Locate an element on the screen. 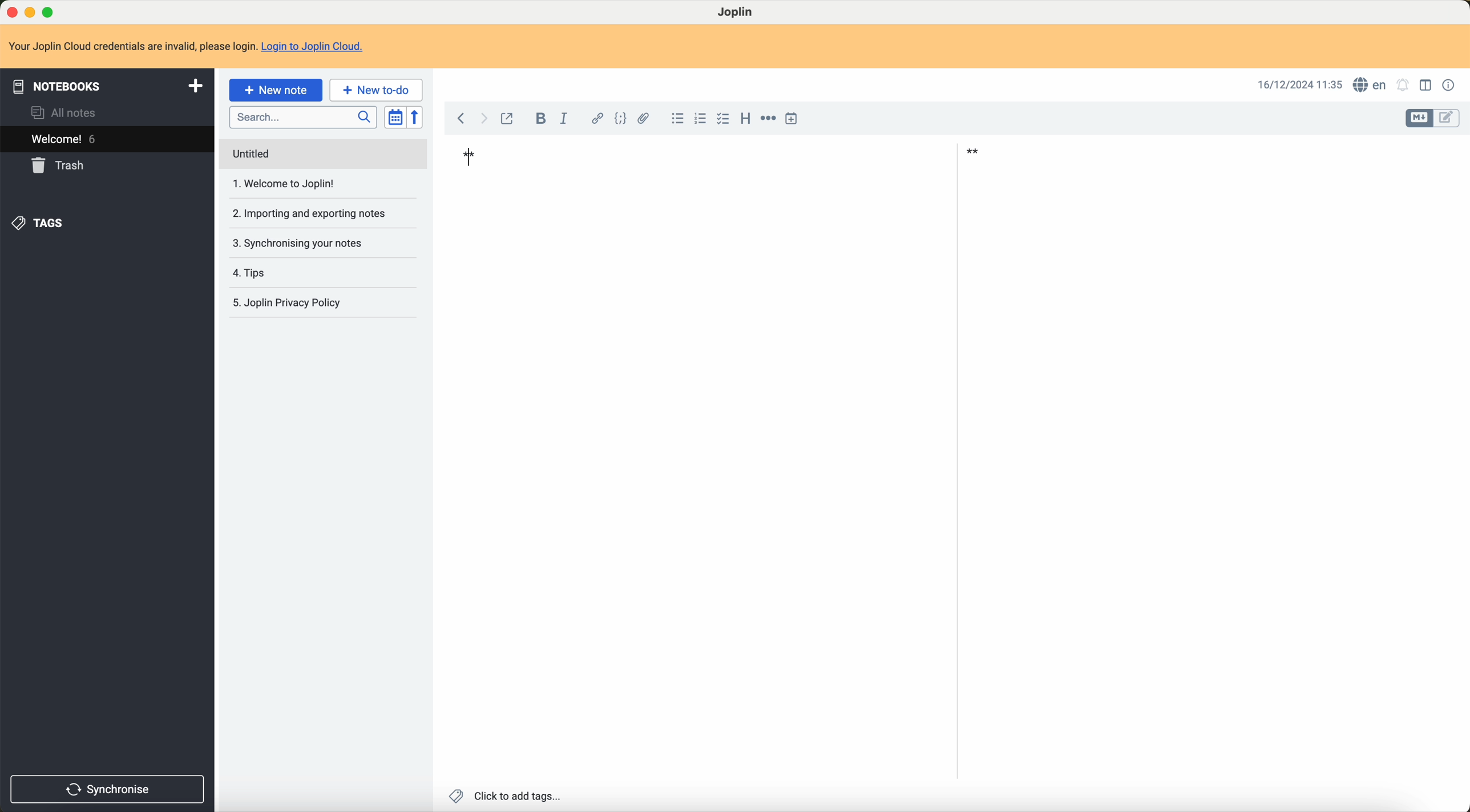 This screenshot has width=1470, height=812. attach file is located at coordinates (644, 118).